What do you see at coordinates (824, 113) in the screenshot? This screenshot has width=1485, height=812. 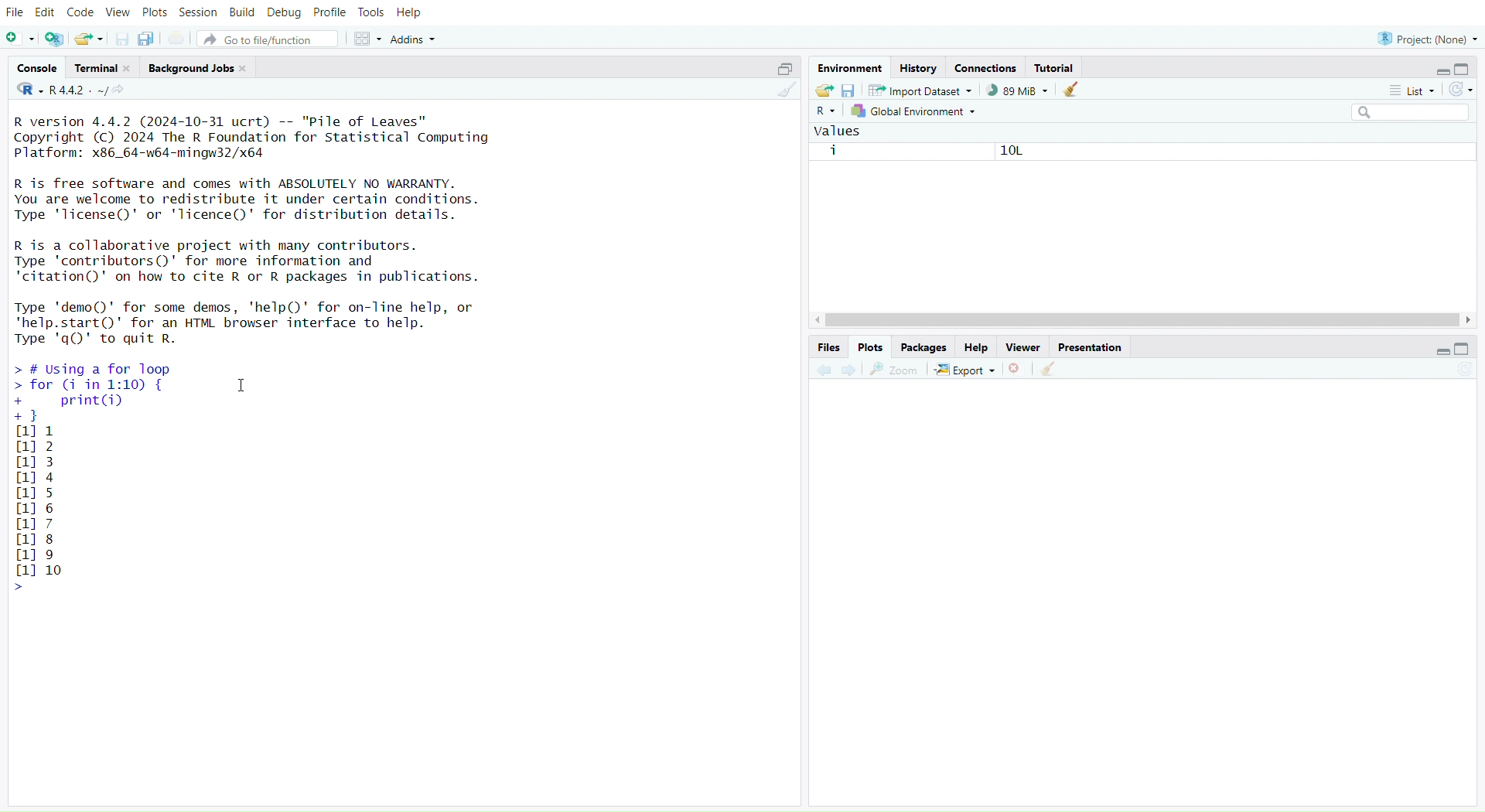 I see `R` at bounding box center [824, 113].